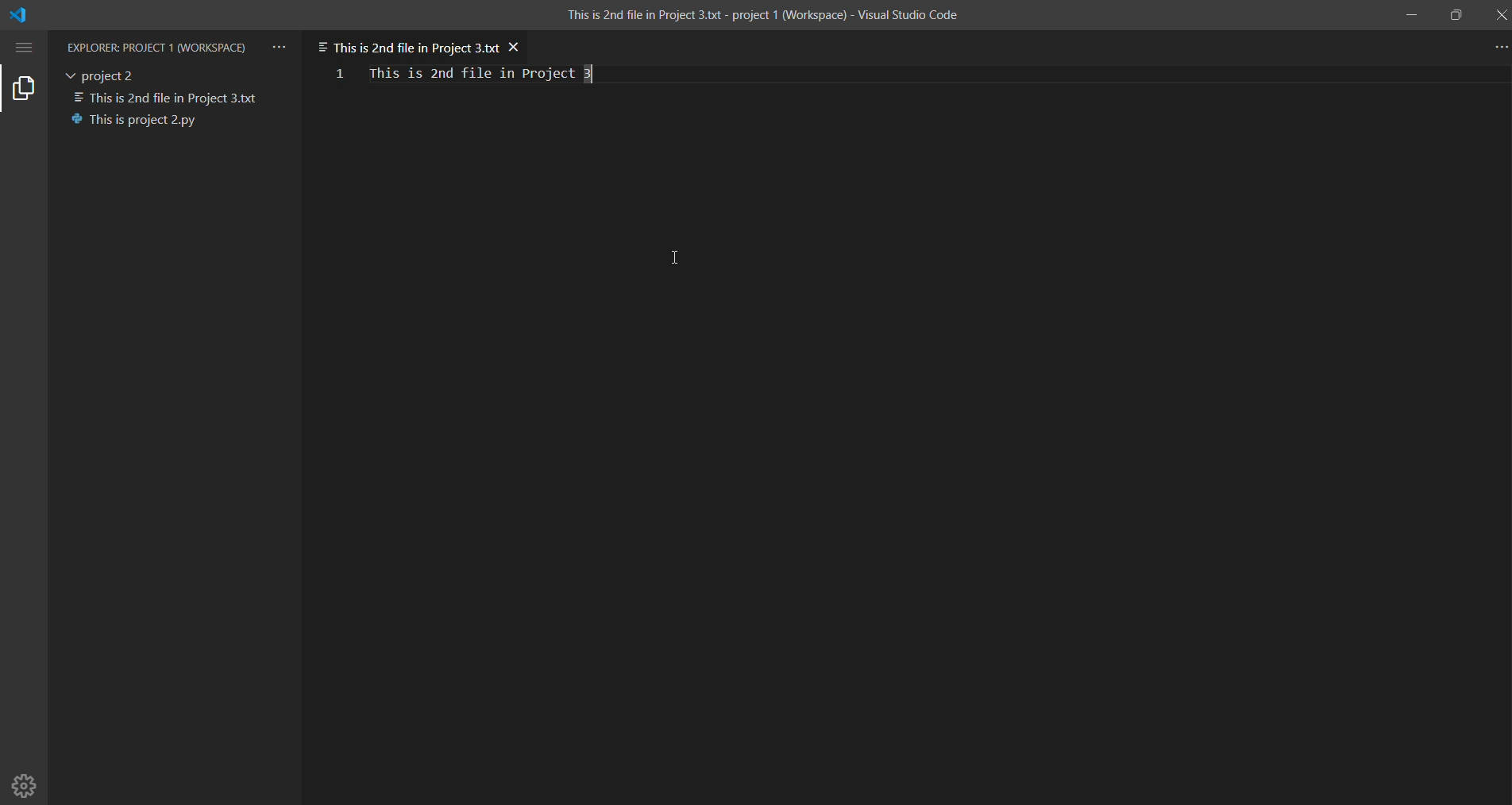 The height and width of the screenshot is (805, 1512). Describe the element at coordinates (518, 43) in the screenshot. I see `close file` at that location.